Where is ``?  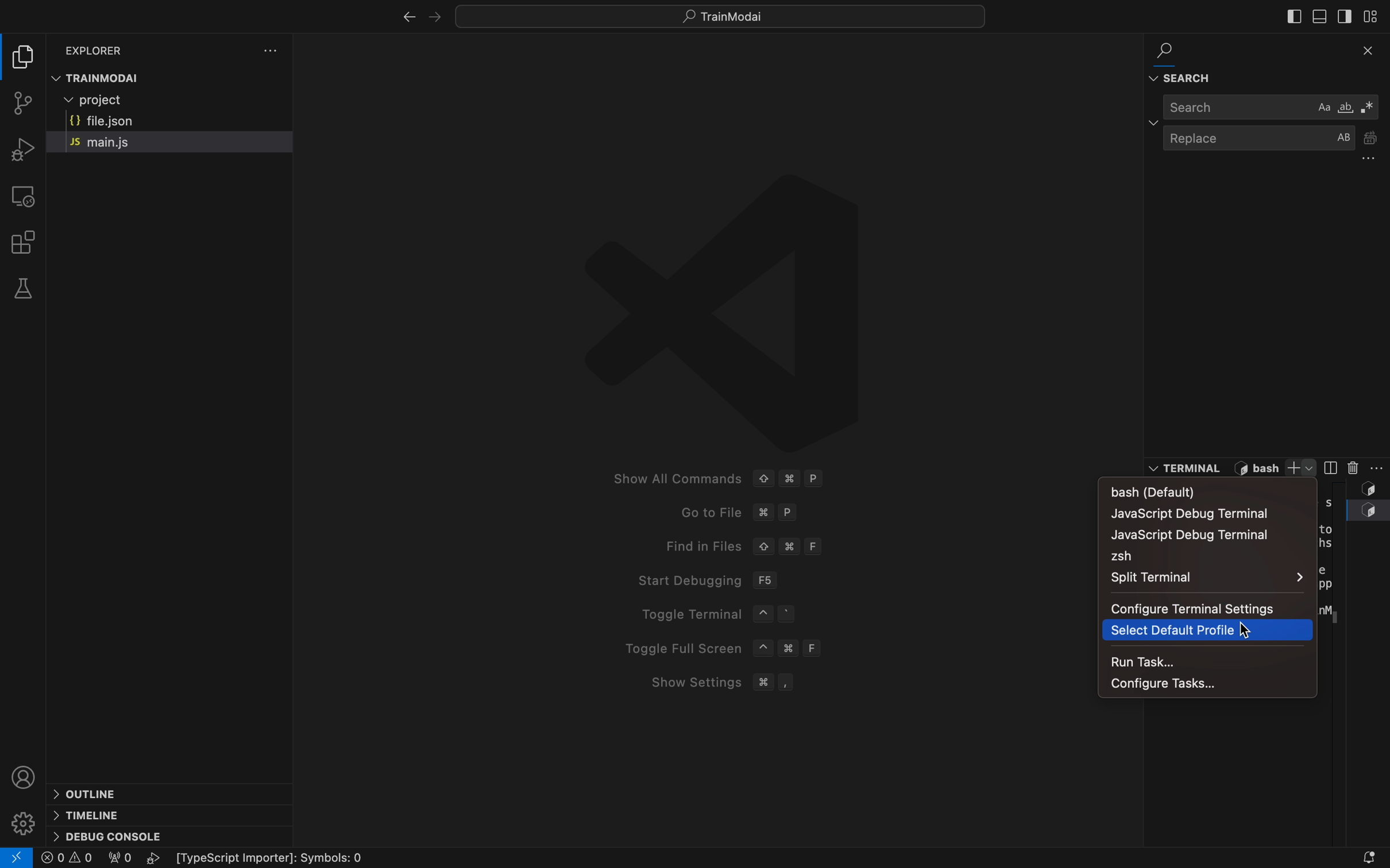  is located at coordinates (1203, 514).